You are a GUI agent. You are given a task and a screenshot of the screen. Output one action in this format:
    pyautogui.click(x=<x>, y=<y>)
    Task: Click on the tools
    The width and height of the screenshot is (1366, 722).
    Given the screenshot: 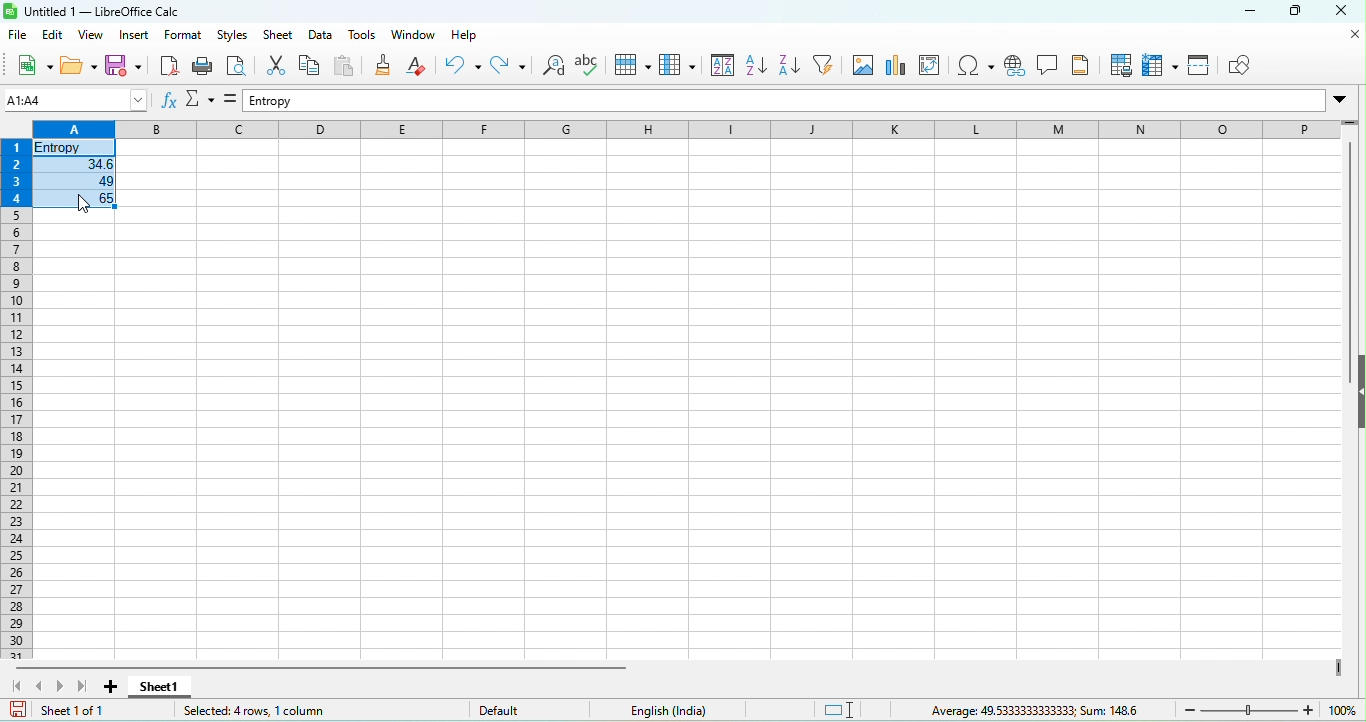 What is the action you would take?
    pyautogui.click(x=369, y=35)
    